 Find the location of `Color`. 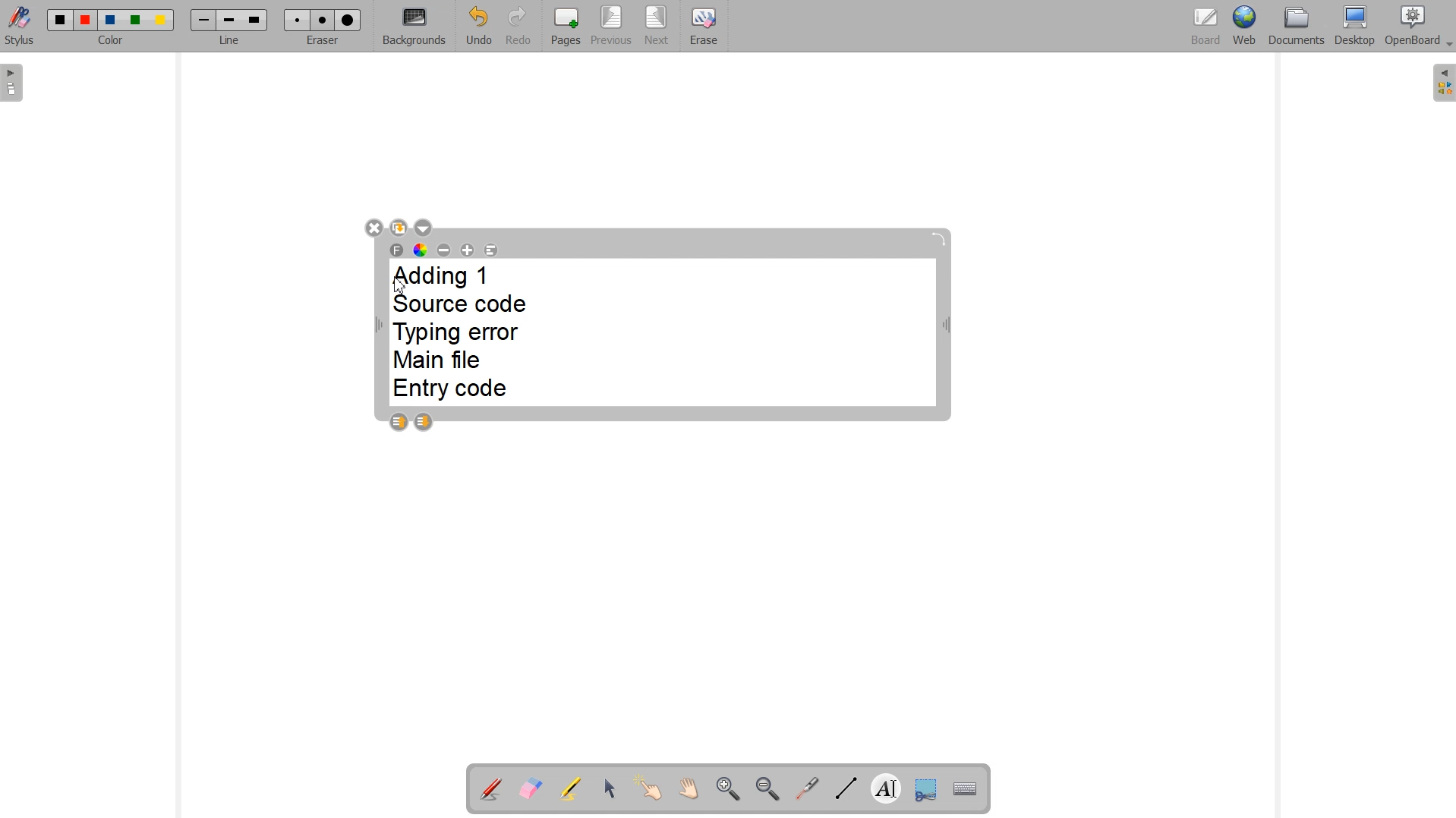

Color is located at coordinates (113, 42).